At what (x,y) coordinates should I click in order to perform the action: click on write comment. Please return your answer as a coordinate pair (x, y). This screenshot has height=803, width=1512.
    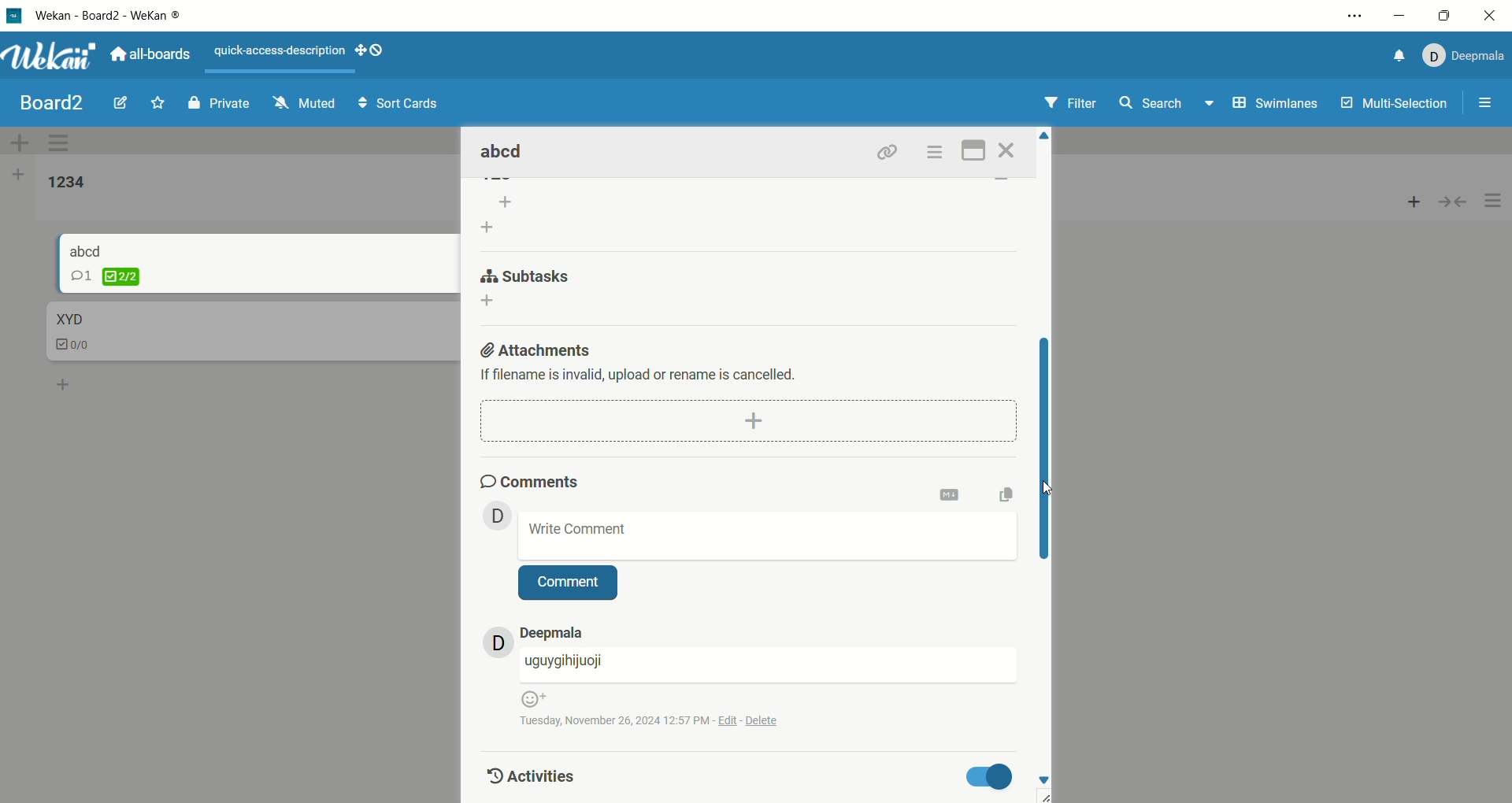
    Looking at the image, I should click on (769, 535).